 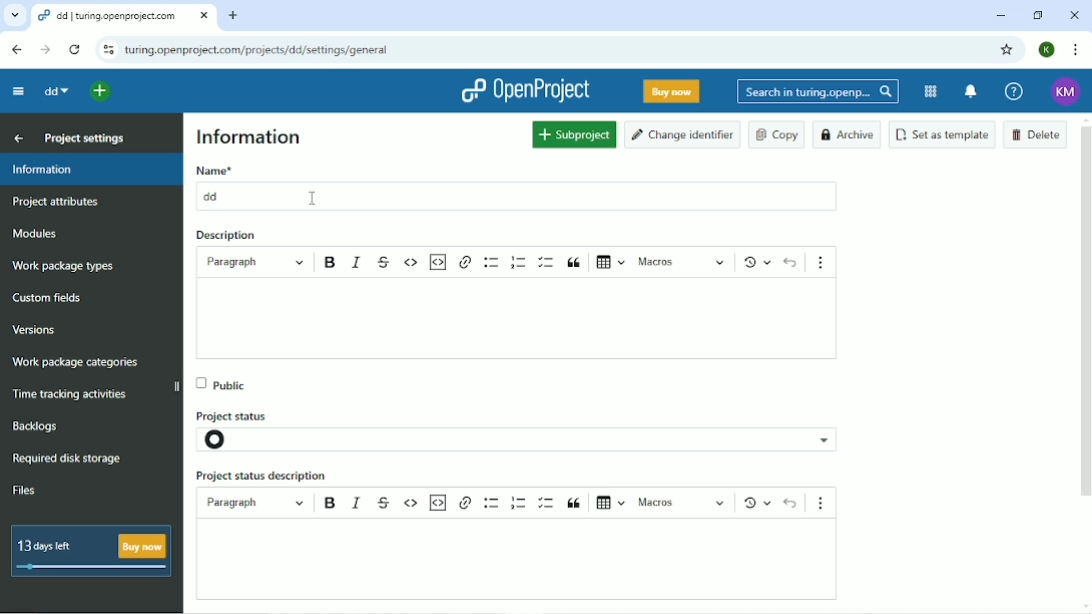 What do you see at coordinates (55, 91) in the screenshot?
I see `dd` at bounding box center [55, 91].